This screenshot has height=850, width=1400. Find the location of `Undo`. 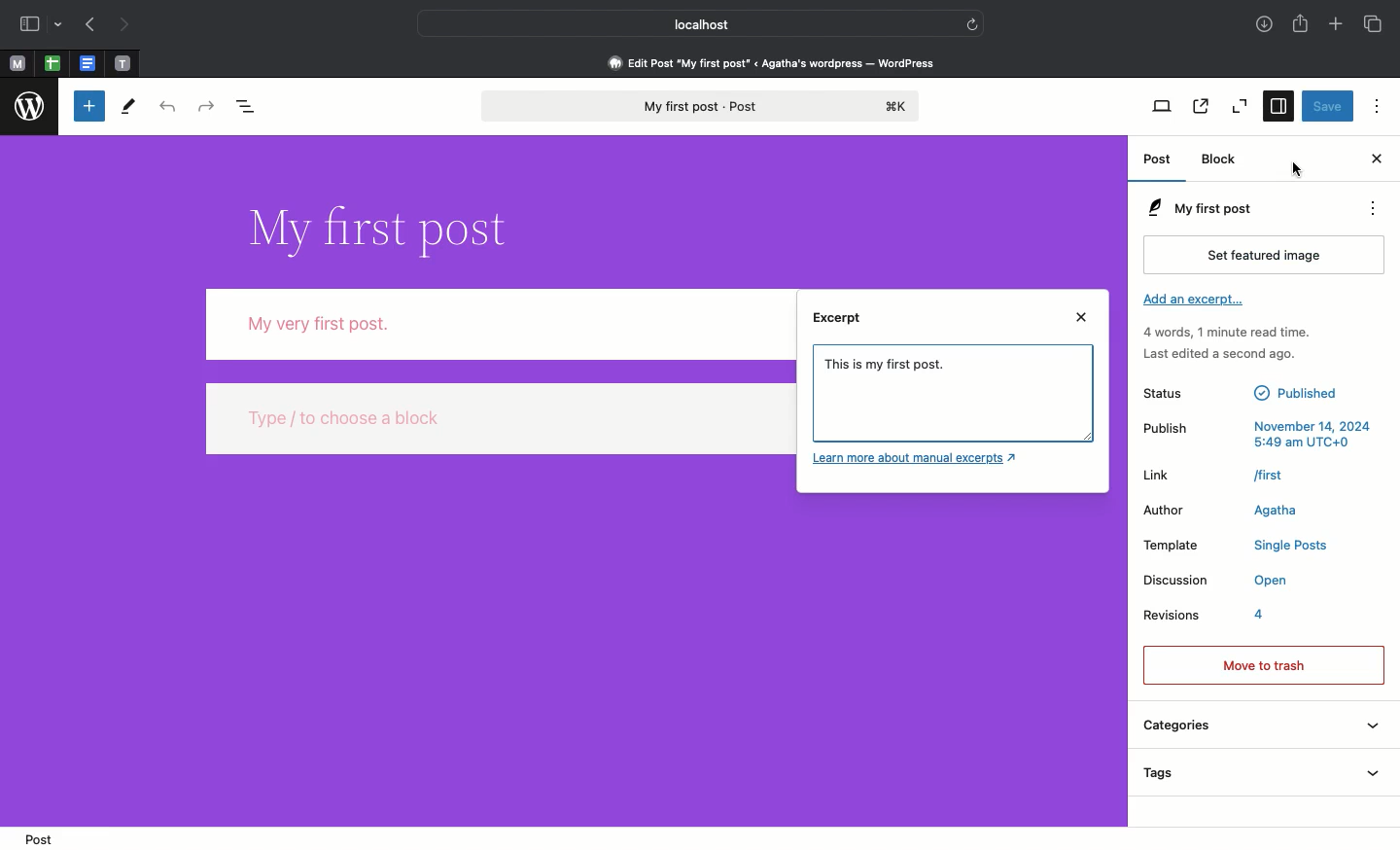

Undo is located at coordinates (165, 108).